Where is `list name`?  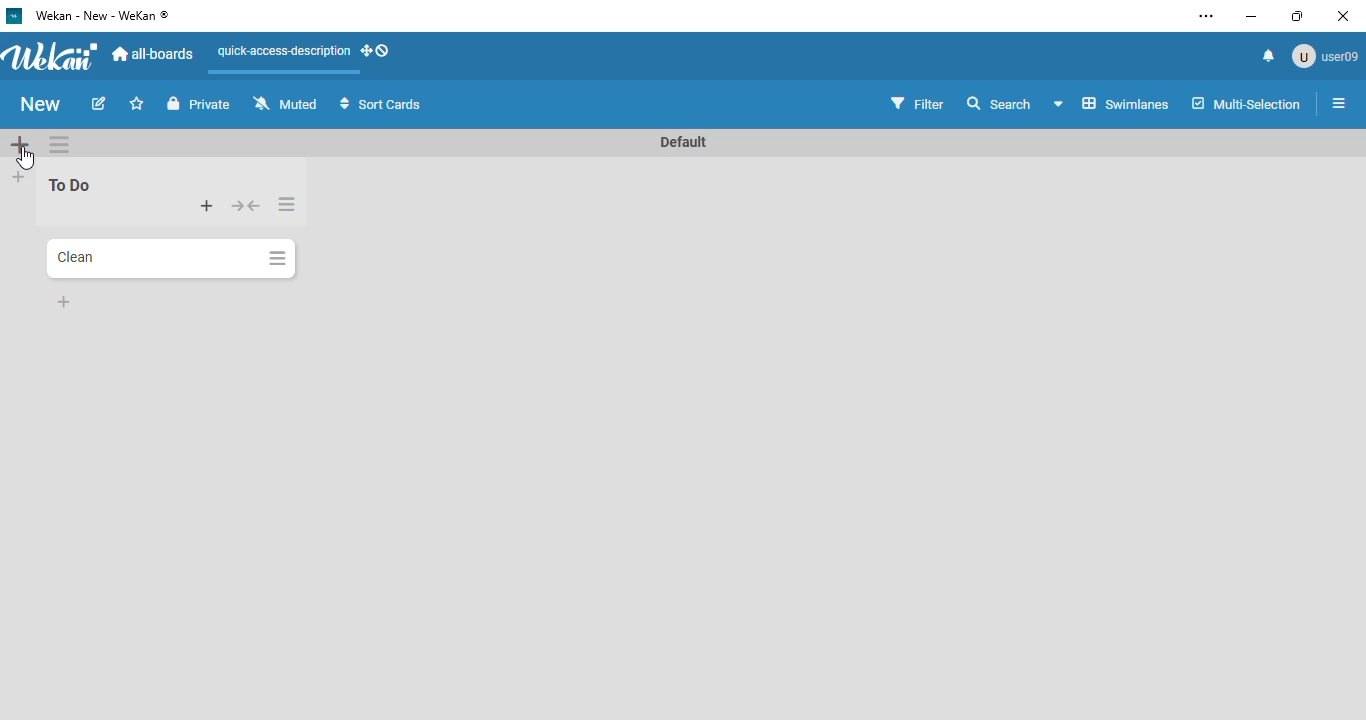 list name is located at coordinates (68, 185).